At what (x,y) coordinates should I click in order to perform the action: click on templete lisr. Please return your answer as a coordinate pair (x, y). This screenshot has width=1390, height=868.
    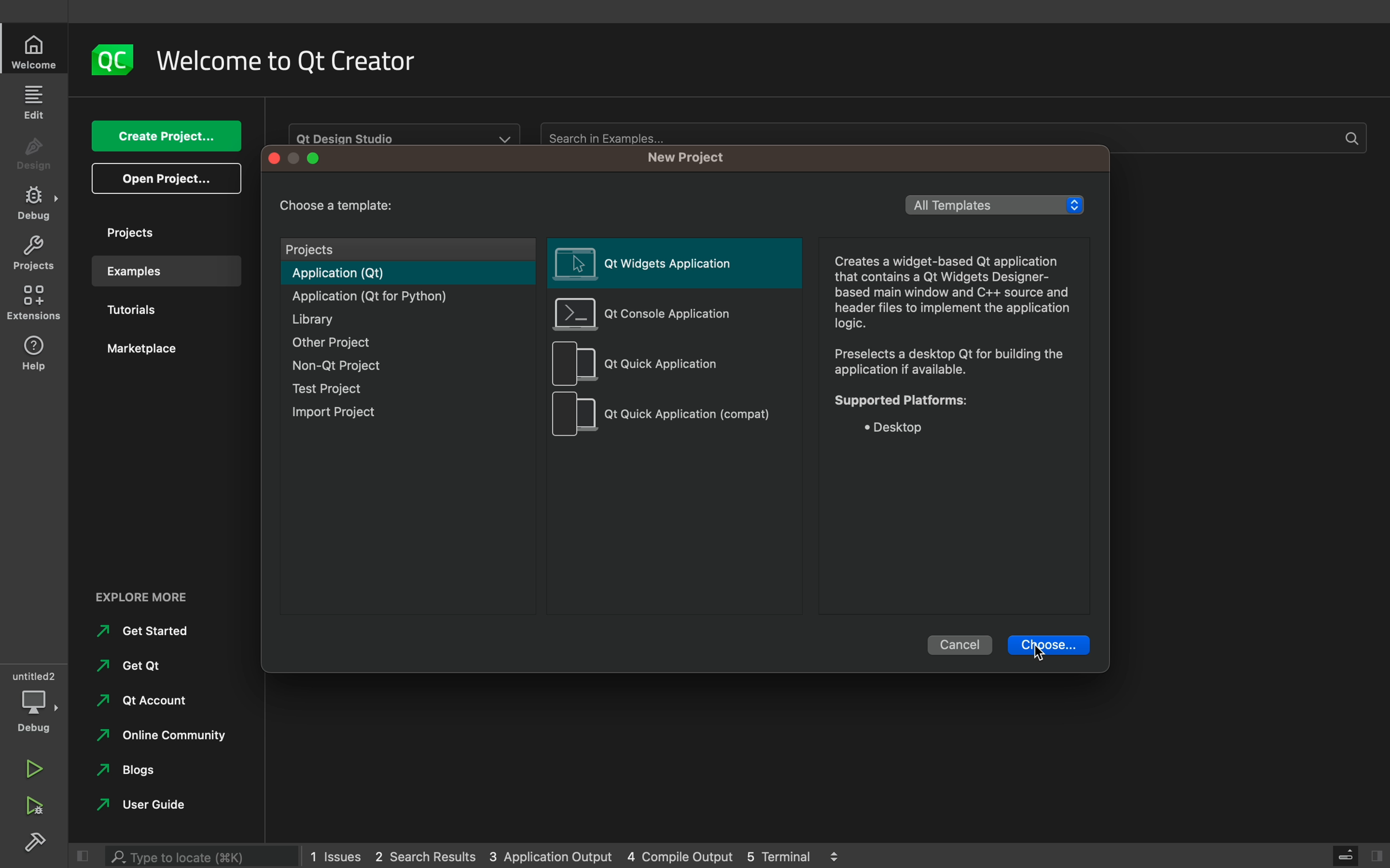
    Looking at the image, I should click on (988, 206).